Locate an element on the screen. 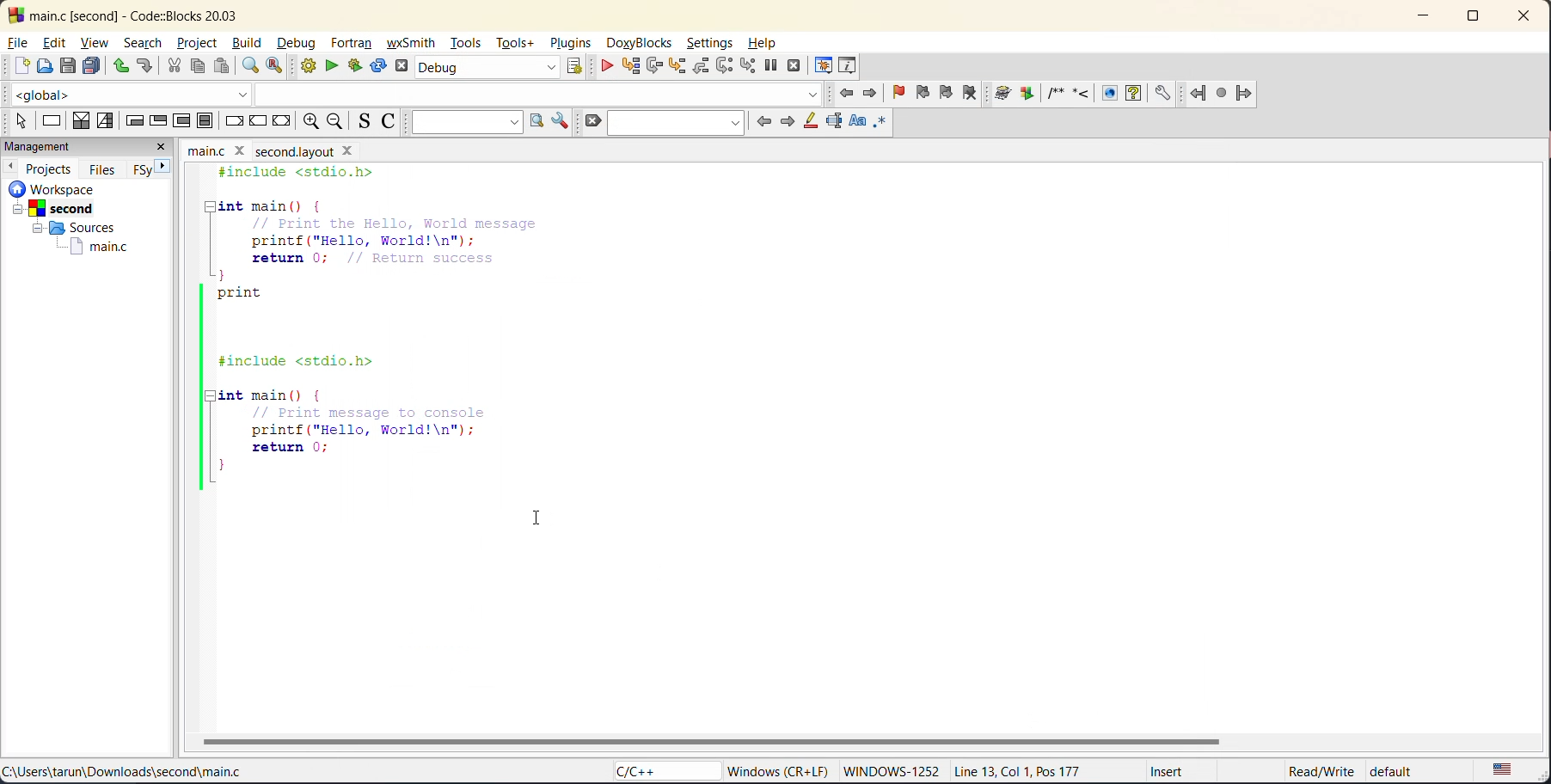 The image size is (1551, 784). edit is located at coordinates (57, 44).